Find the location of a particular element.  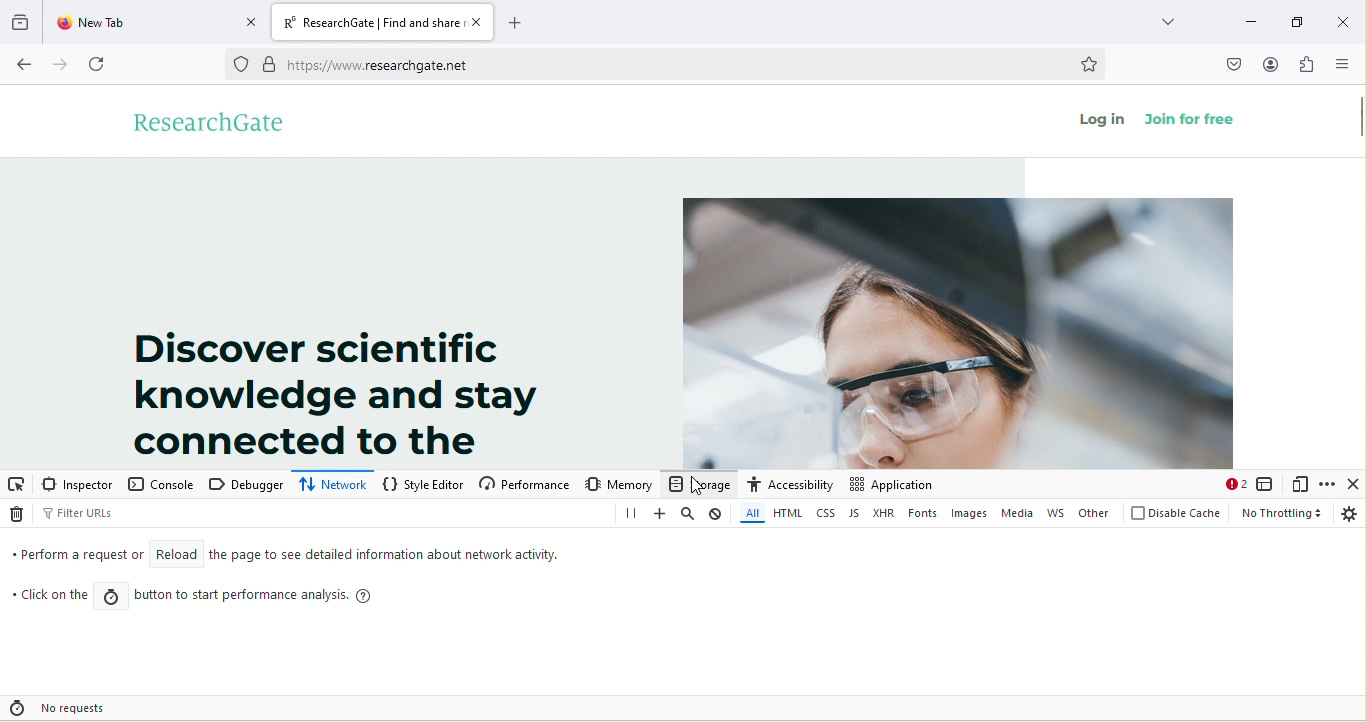

storage is located at coordinates (697, 483).